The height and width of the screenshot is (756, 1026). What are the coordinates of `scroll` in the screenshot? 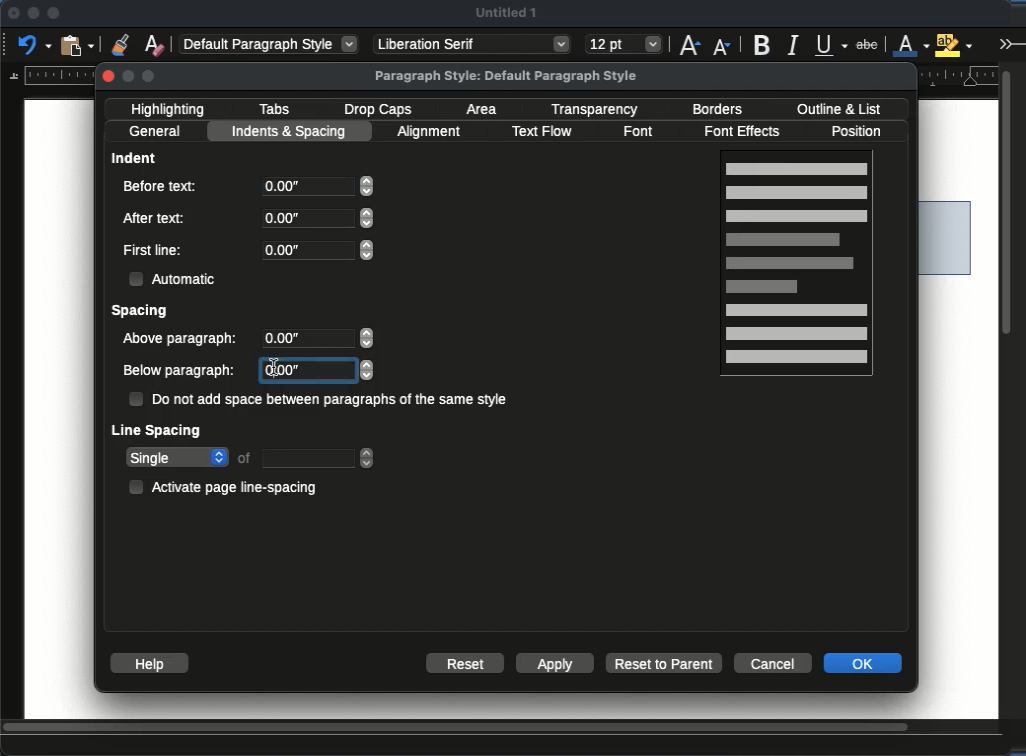 It's located at (502, 729).